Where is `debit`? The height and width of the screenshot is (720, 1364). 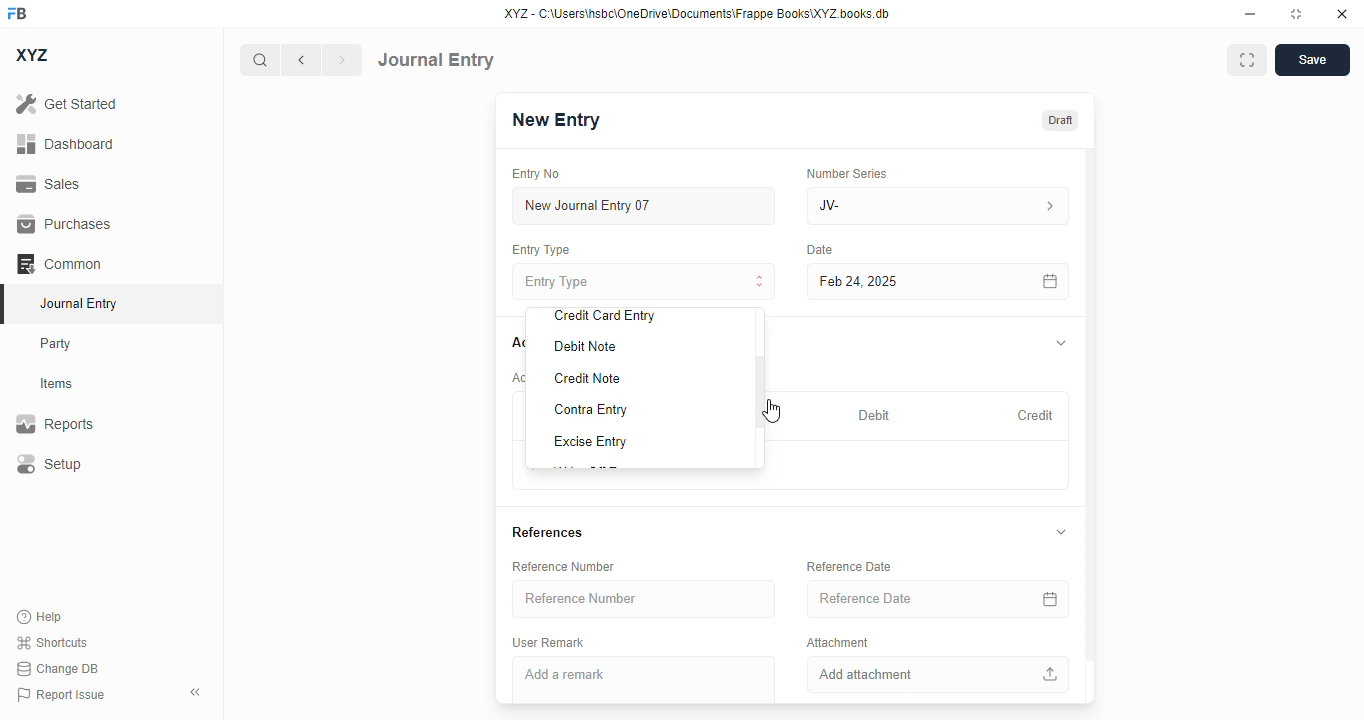 debit is located at coordinates (875, 415).